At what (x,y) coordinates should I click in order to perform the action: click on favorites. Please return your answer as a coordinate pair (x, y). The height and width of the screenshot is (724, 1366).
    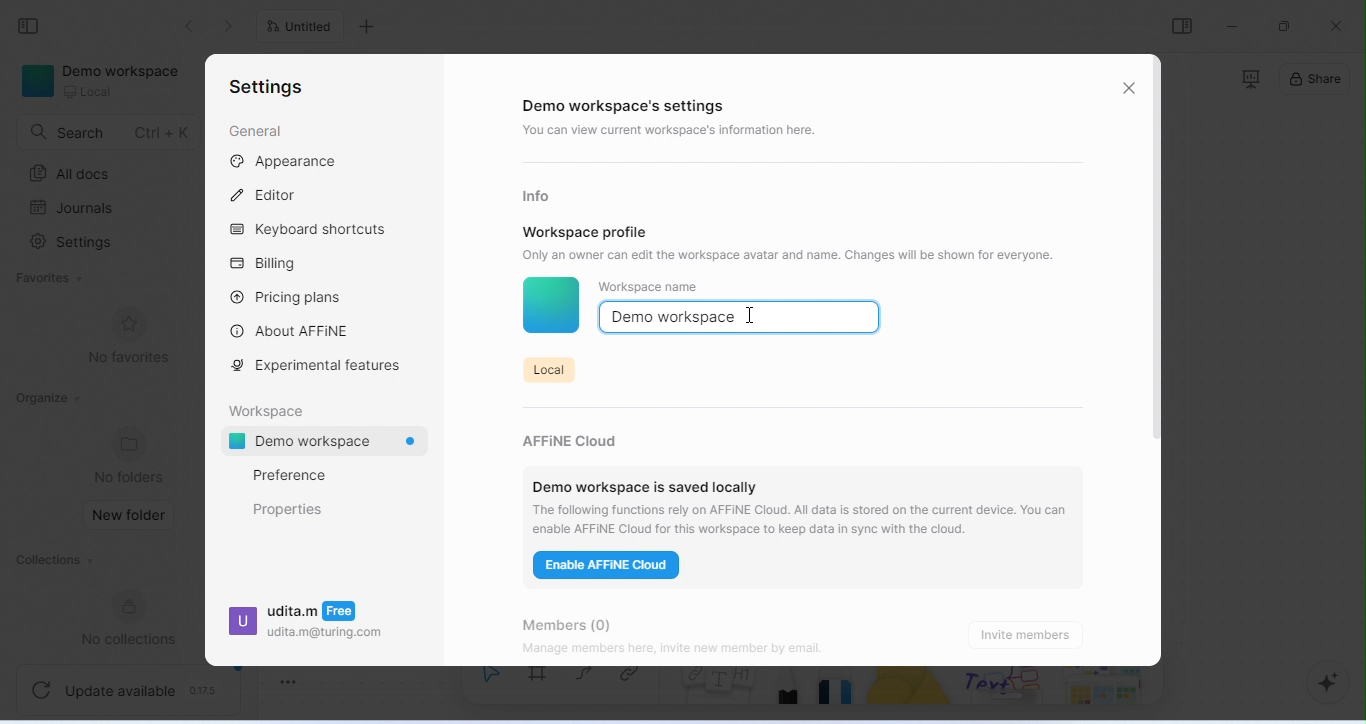
    Looking at the image, I should click on (53, 279).